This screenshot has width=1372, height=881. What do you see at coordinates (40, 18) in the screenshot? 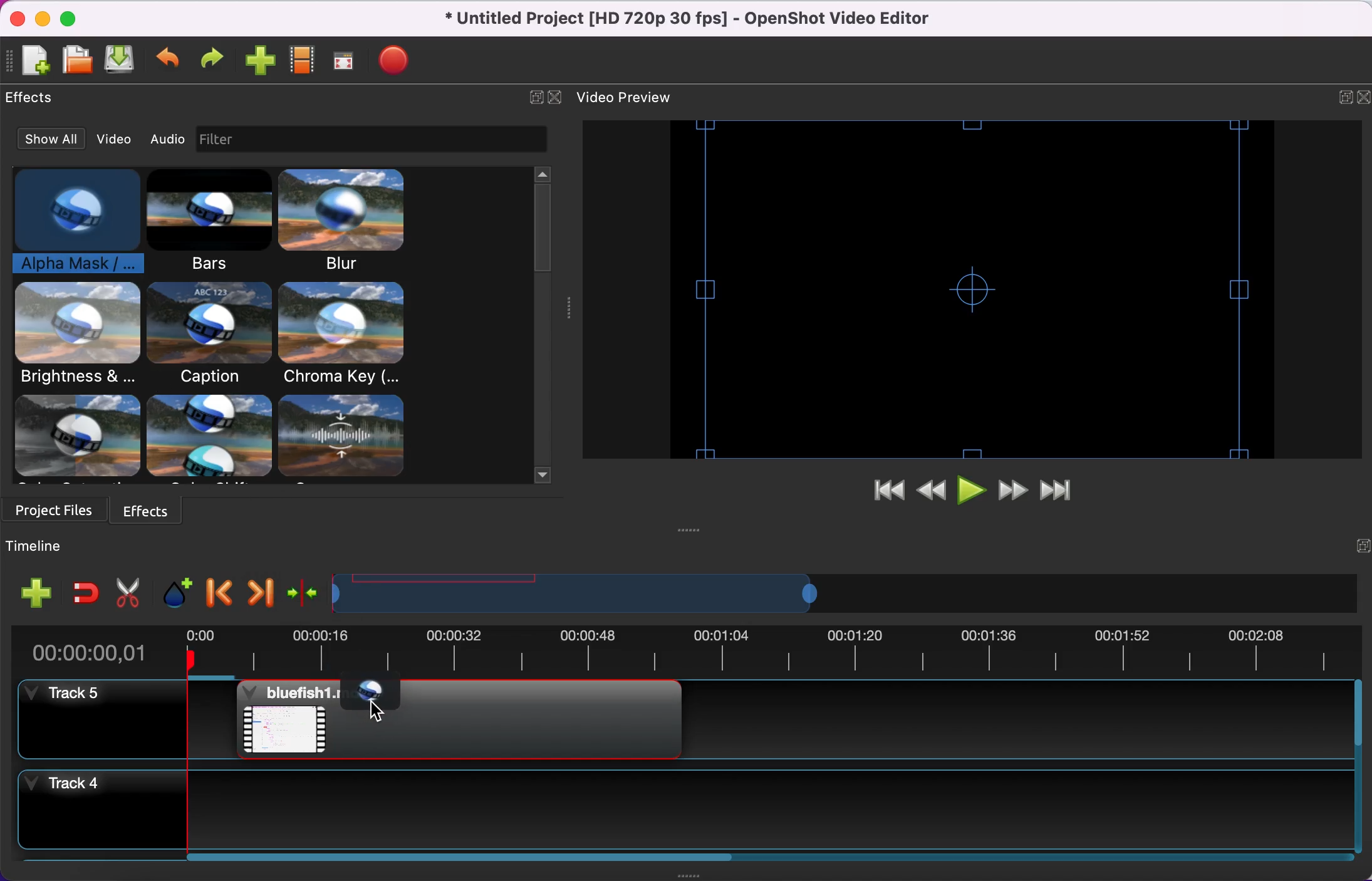
I see `minimize` at bounding box center [40, 18].